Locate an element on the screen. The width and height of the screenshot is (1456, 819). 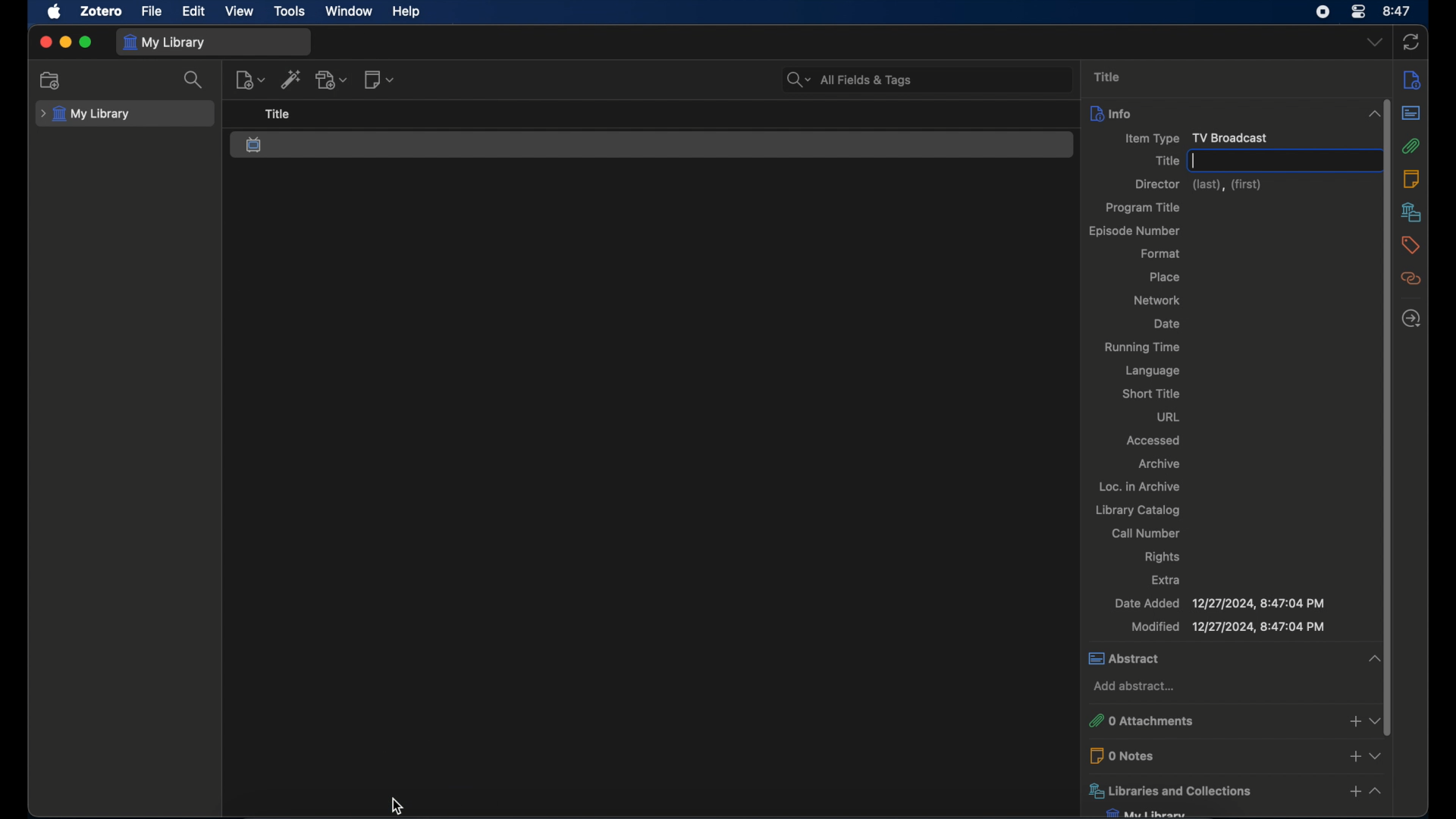
item type is located at coordinates (1188, 139).